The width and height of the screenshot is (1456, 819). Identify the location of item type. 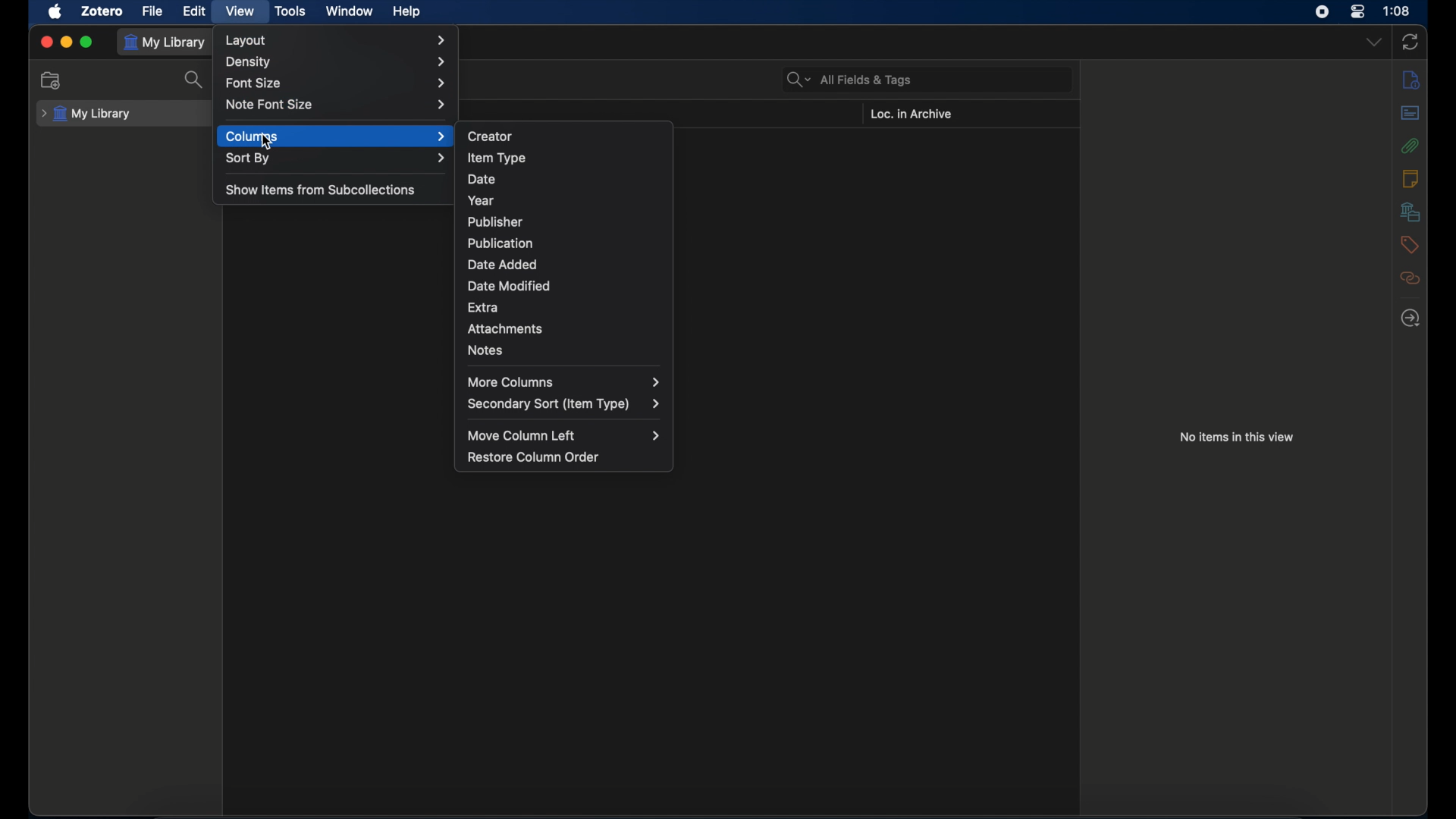
(496, 158).